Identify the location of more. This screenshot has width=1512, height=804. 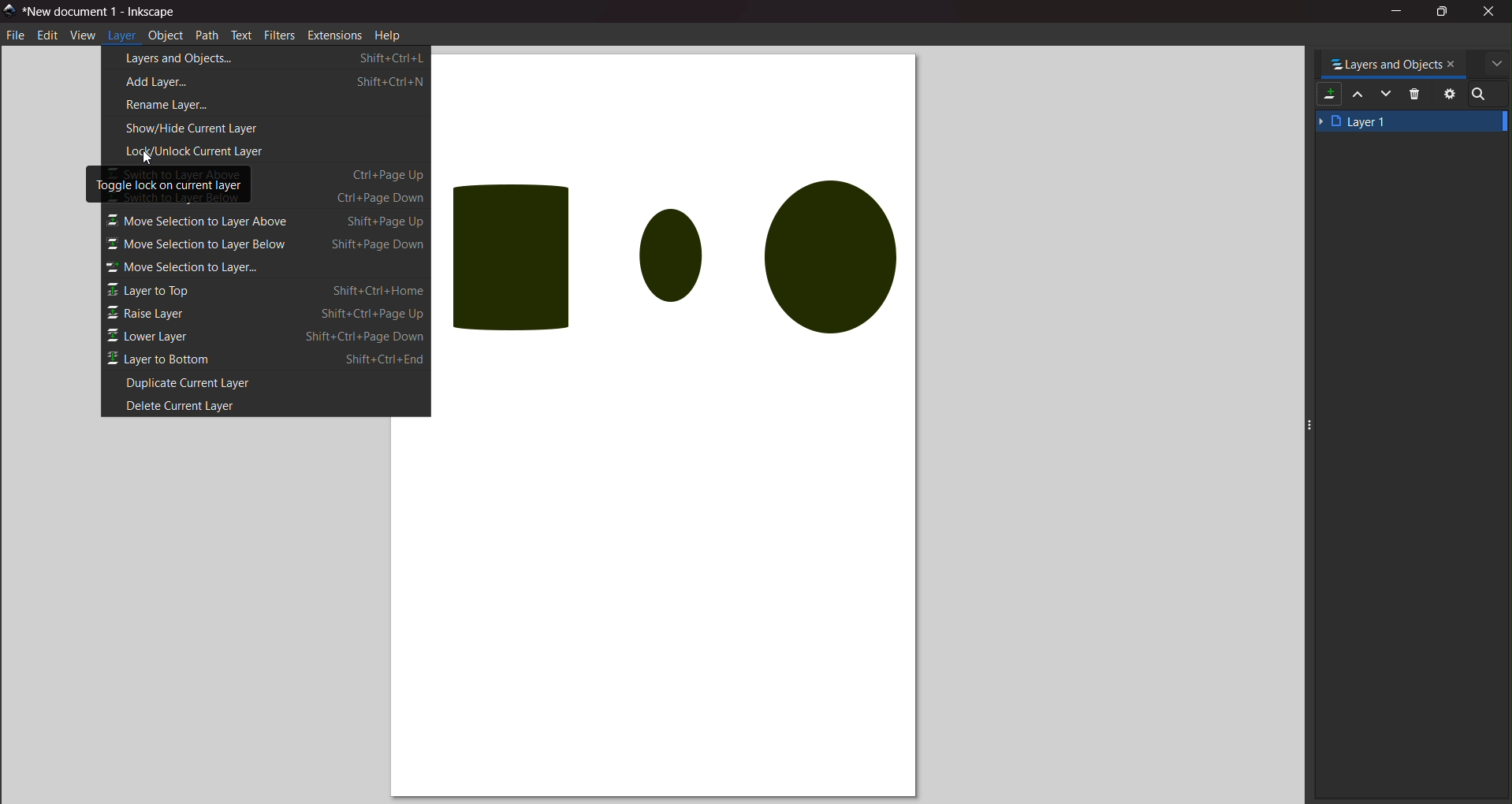
(1498, 65).